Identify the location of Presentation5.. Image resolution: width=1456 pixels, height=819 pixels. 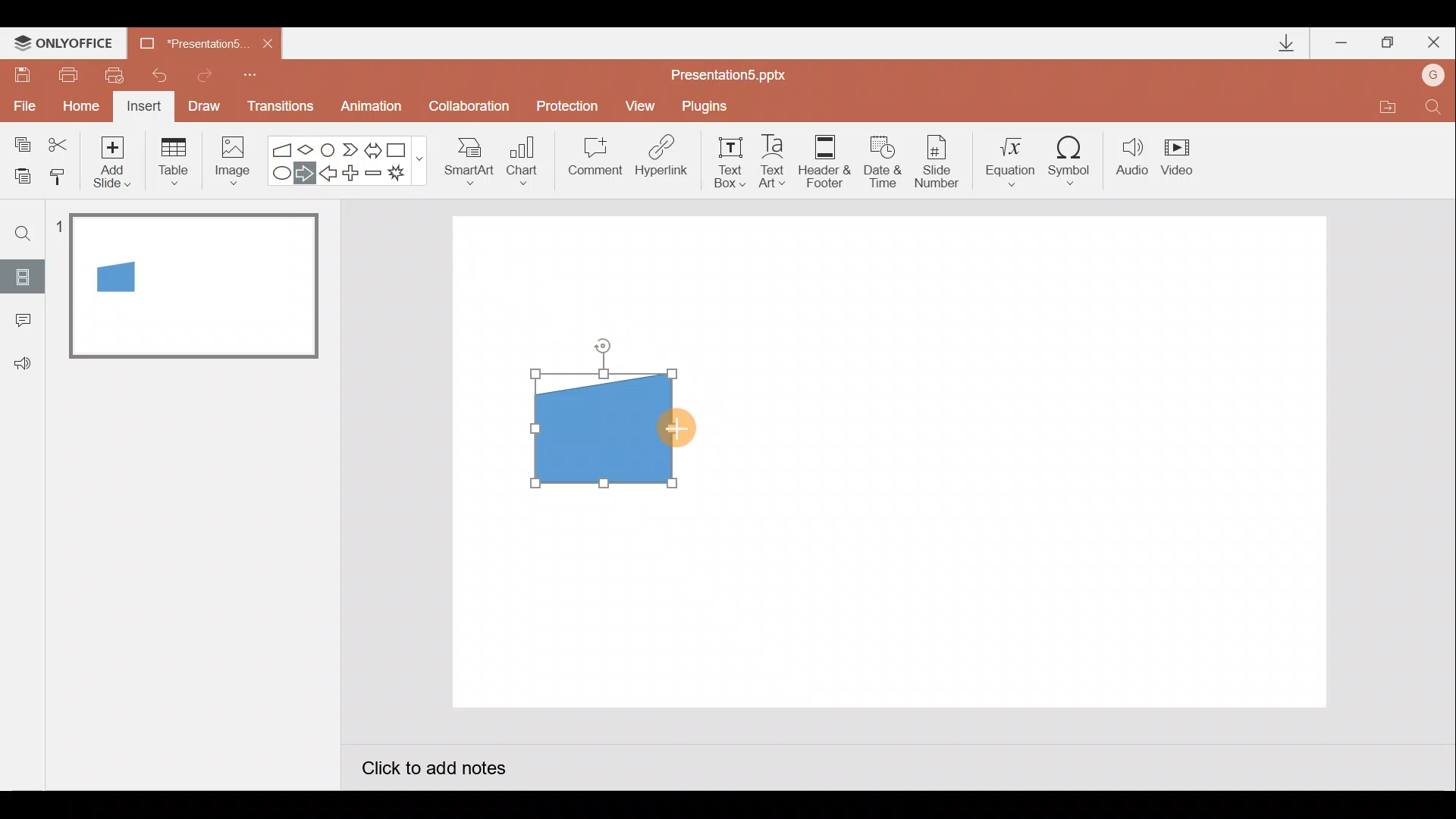
(187, 41).